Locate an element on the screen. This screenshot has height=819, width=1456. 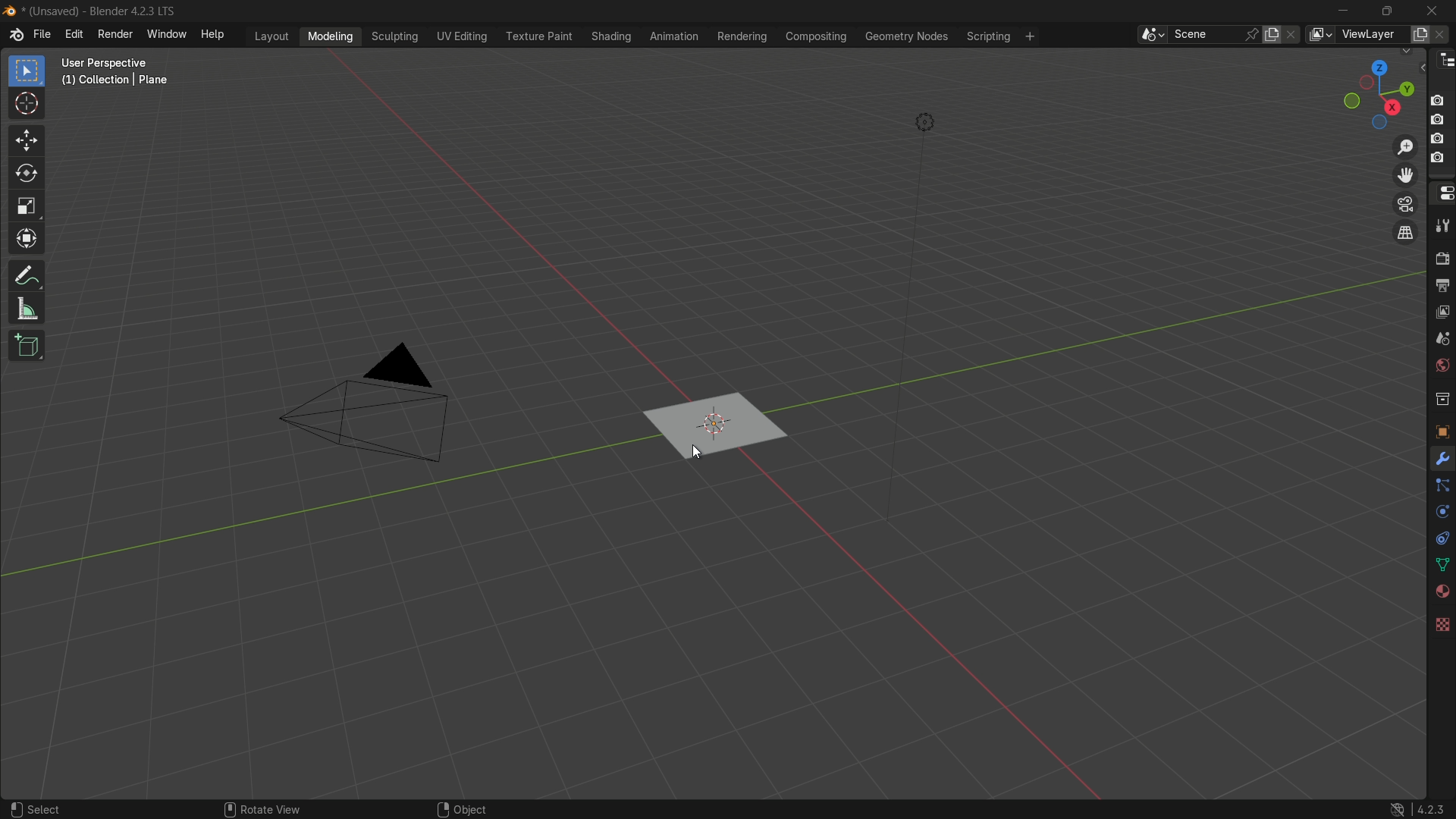
unsaved blender 4.2.3 LTS is located at coordinates (90, 11).